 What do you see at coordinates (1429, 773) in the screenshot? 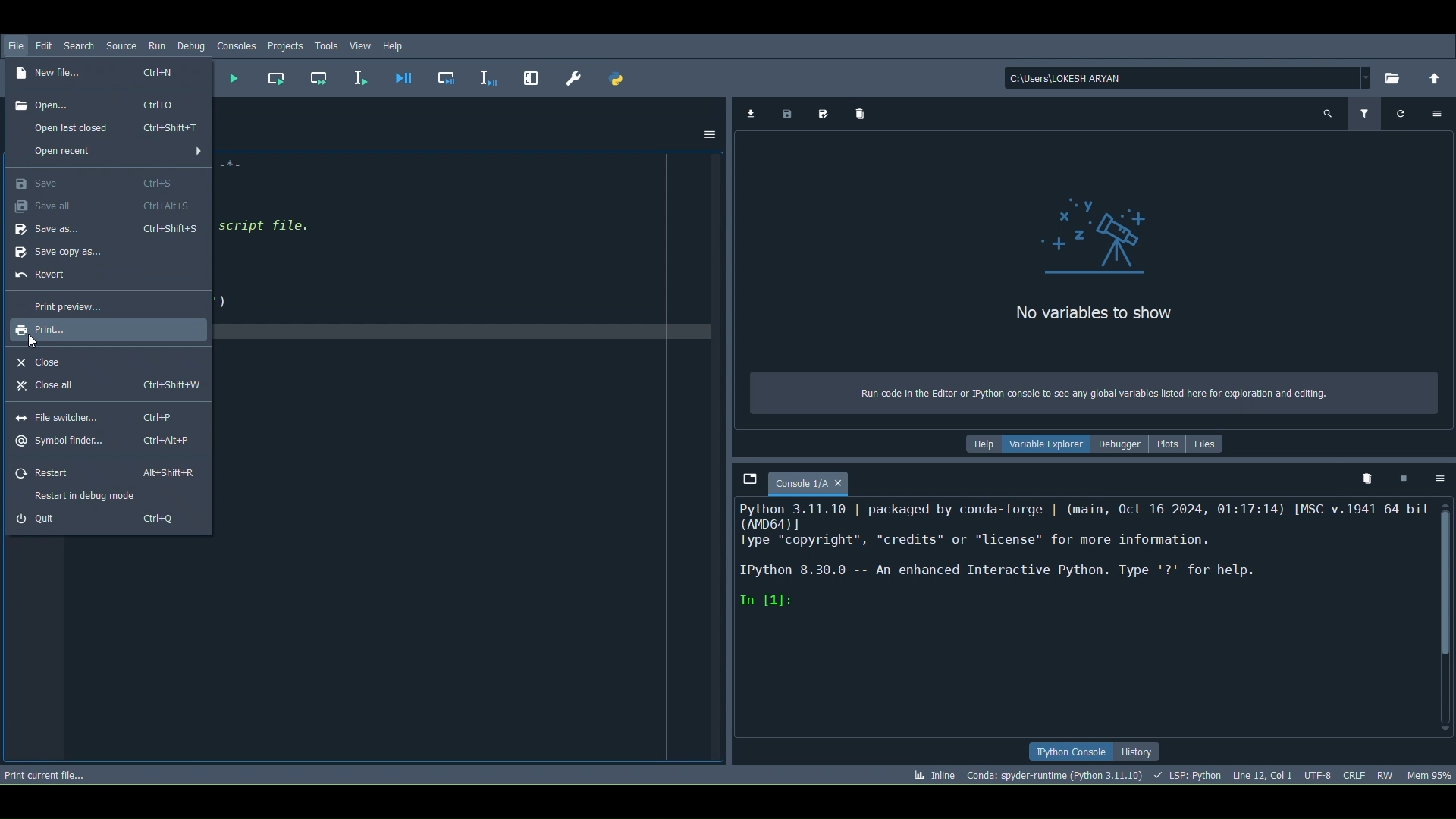
I see `Global memory usage` at bounding box center [1429, 773].